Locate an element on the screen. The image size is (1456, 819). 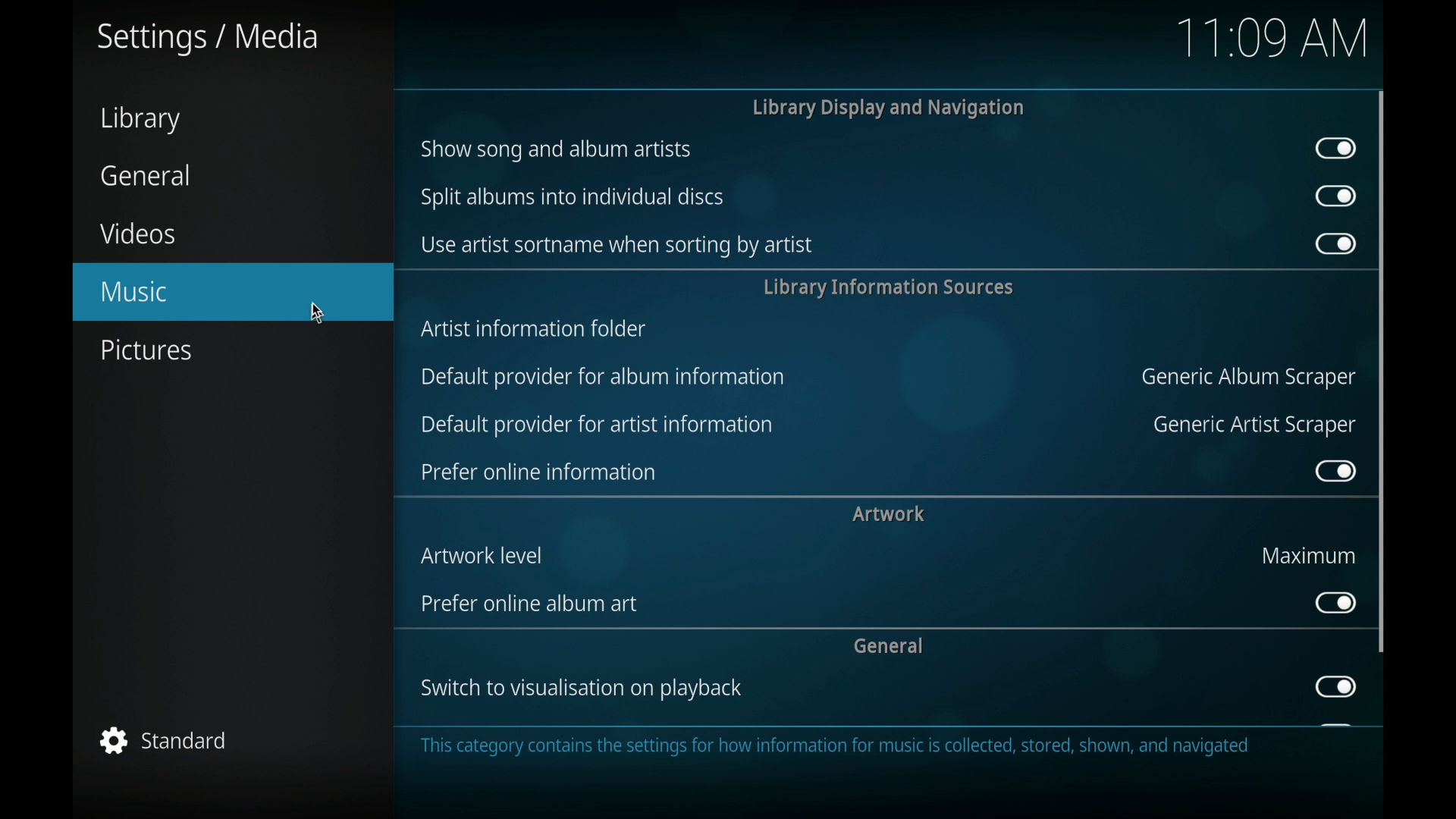
prefer online album art is located at coordinates (529, 605).